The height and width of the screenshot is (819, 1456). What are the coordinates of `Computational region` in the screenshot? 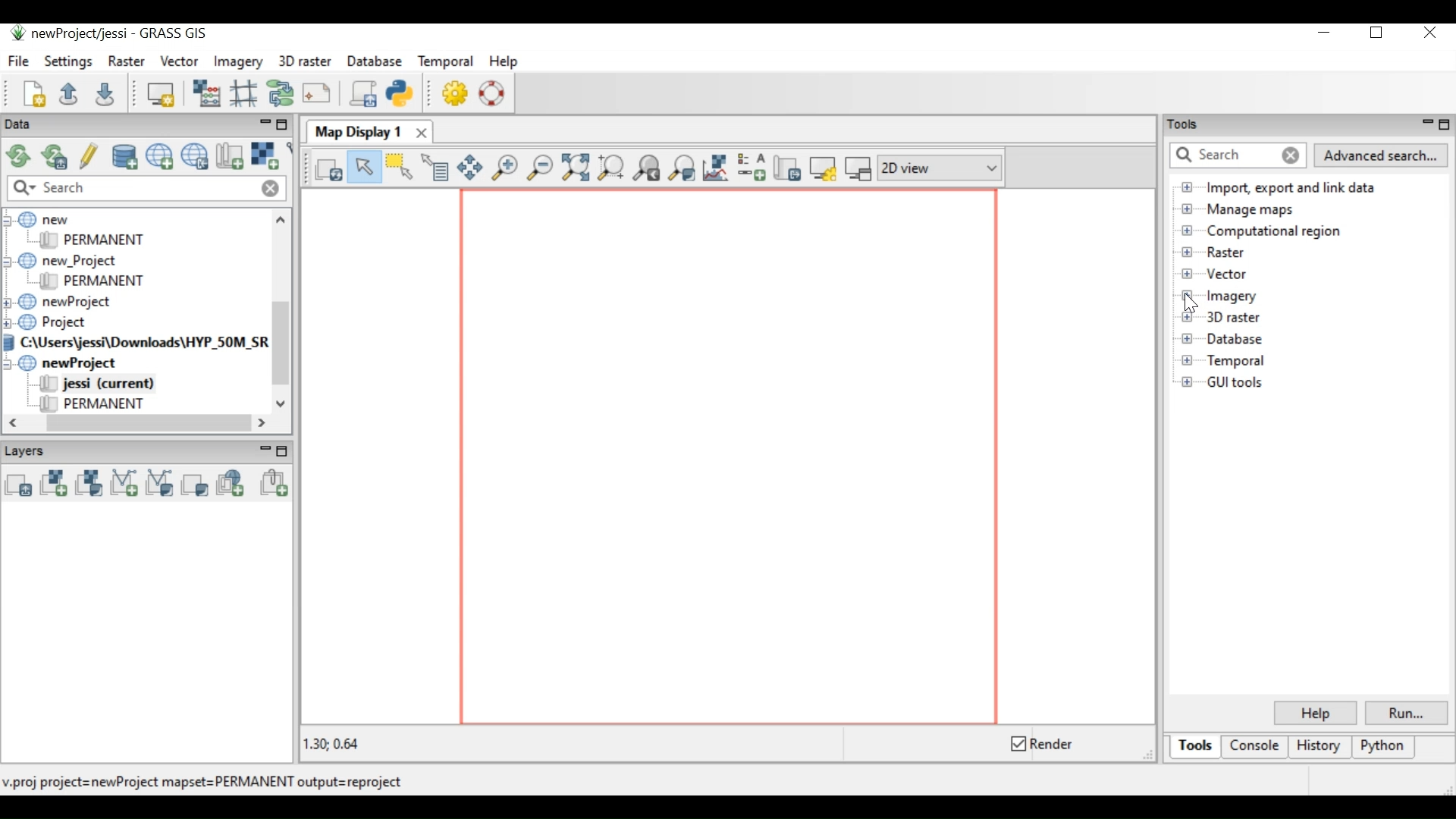 It's located at (1257, 233).